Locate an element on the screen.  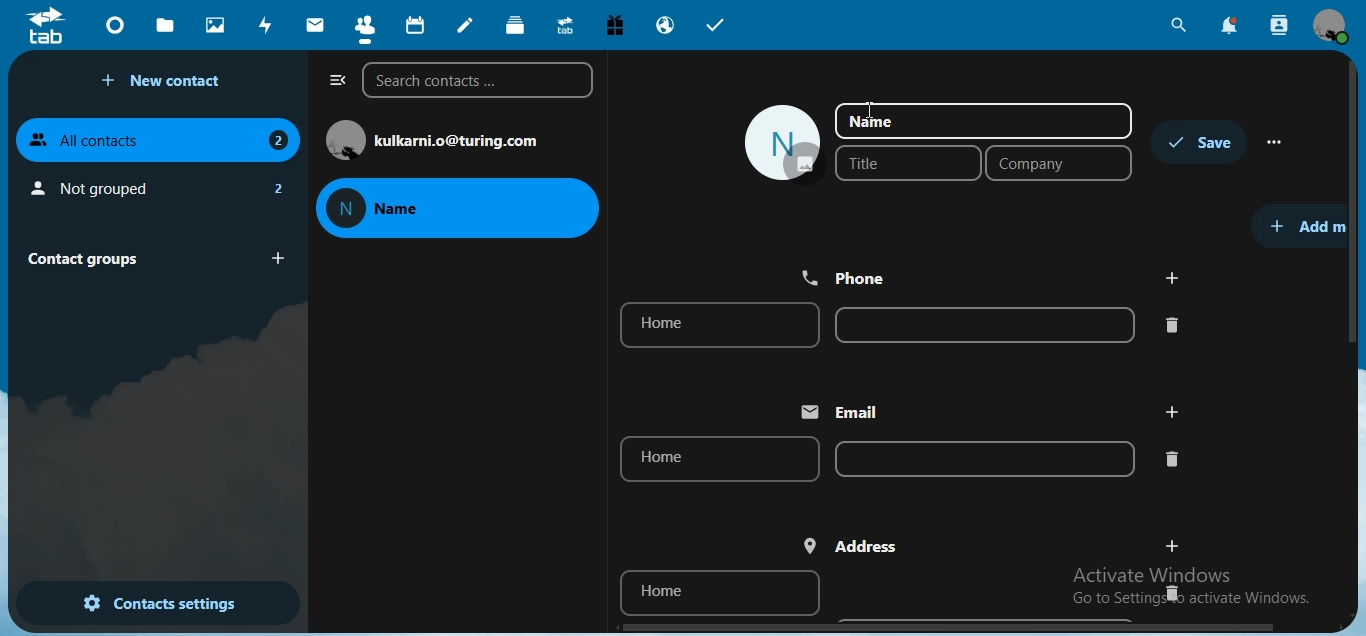
search contacts is located at coordinates (1280, 27).